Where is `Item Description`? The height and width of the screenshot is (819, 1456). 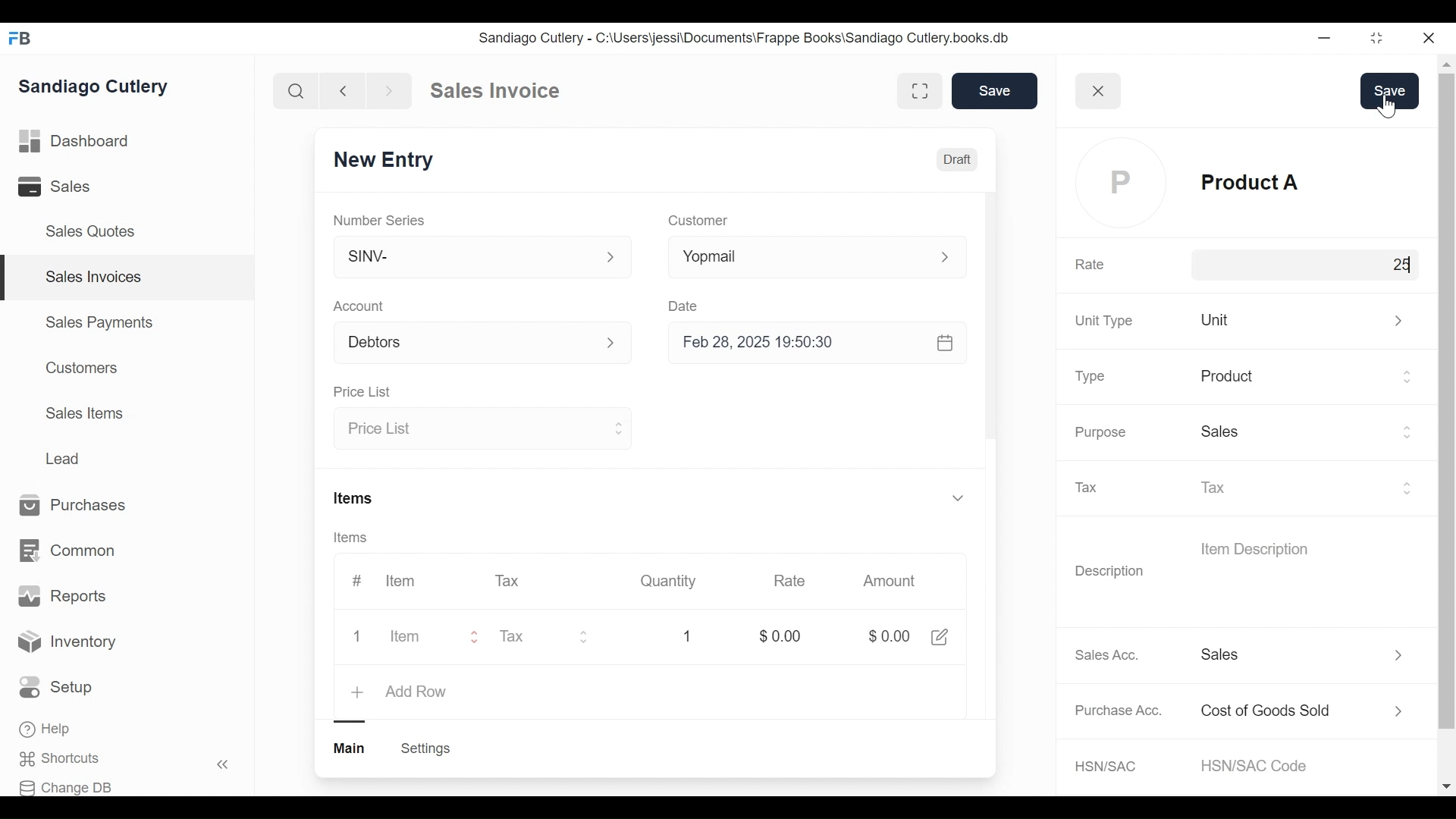 Item Description is located at coordinates (1254, 548).